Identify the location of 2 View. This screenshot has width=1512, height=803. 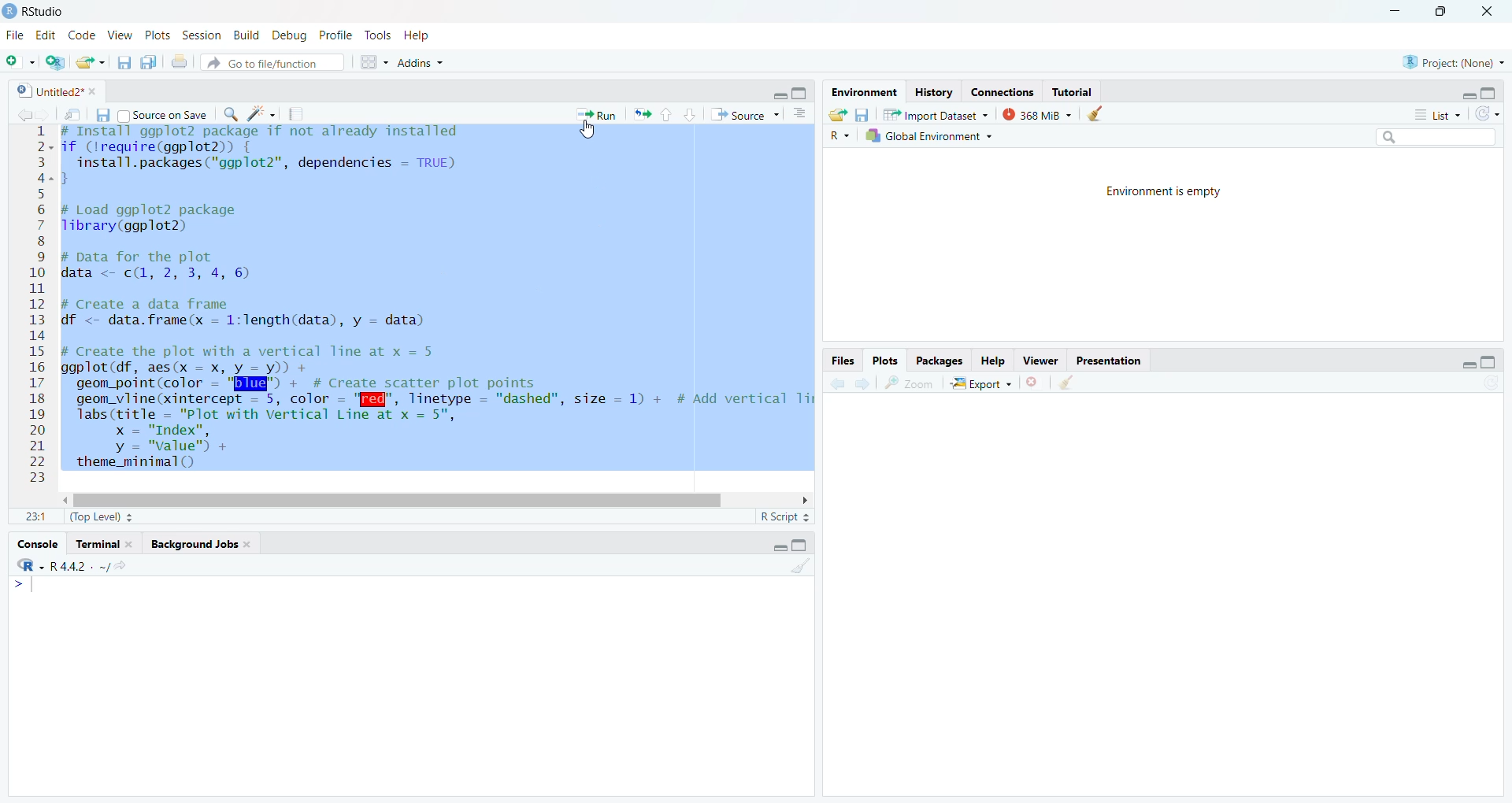
(120, 36).